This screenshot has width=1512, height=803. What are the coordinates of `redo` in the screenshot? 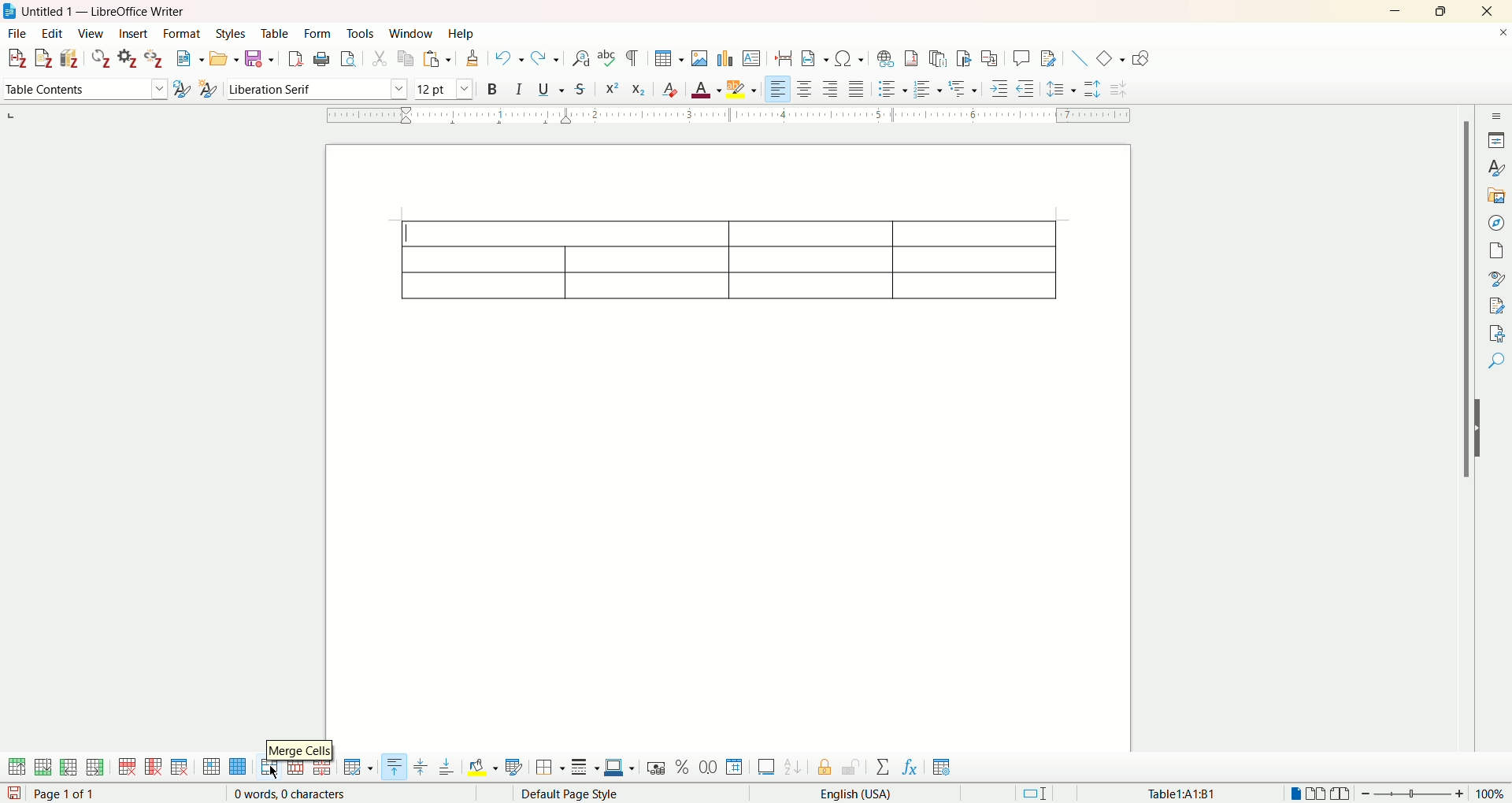 It's located at (544, 58).